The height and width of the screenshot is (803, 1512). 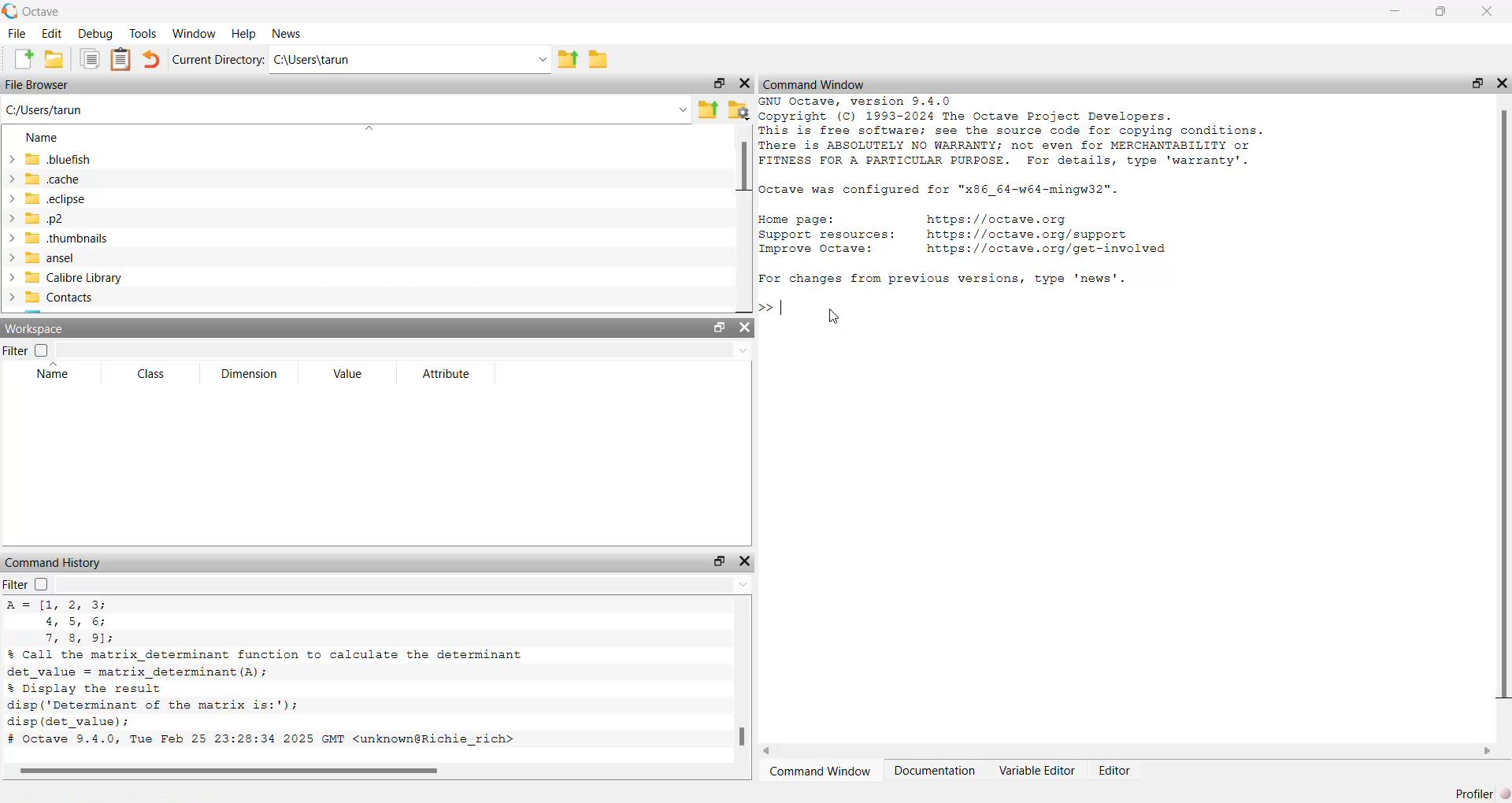 What do you see at coordinates (91, 60) in the screenshot?
I see `copy` at bounding box center [91, 60].